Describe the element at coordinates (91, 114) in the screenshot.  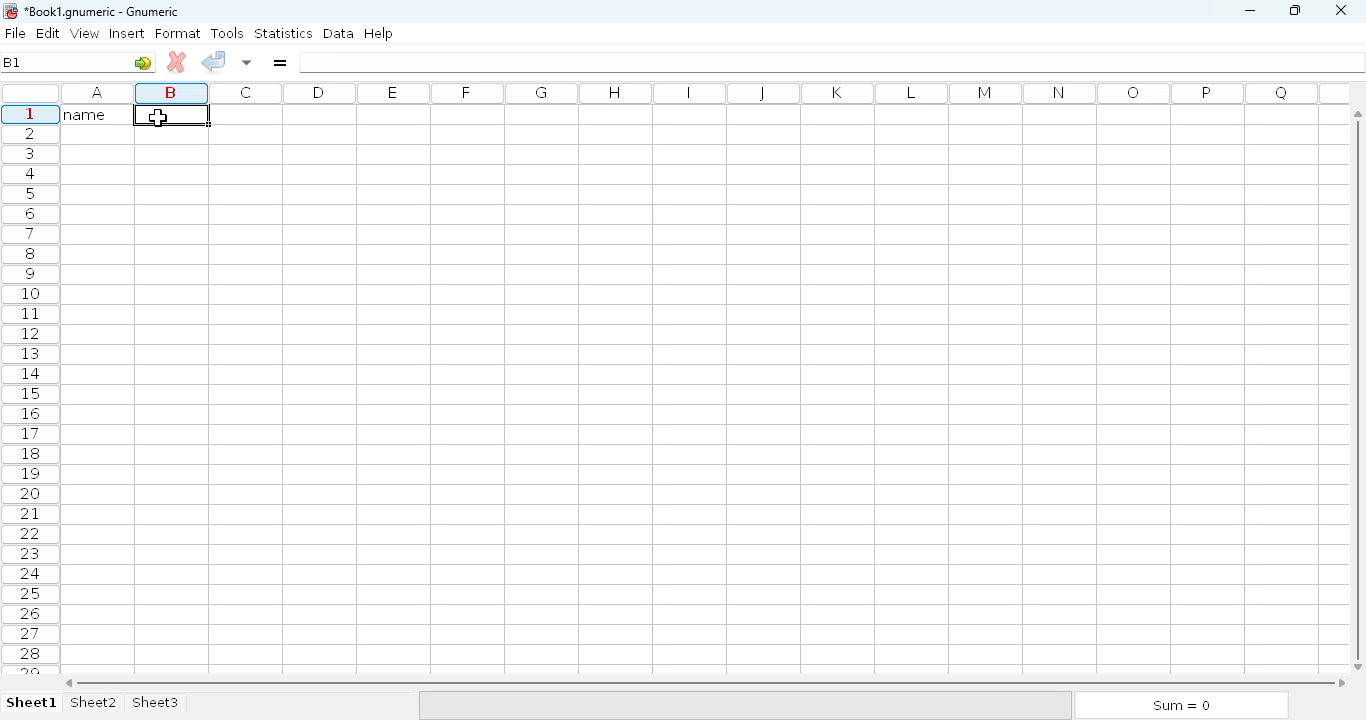
I see `name (heading)` at that location.